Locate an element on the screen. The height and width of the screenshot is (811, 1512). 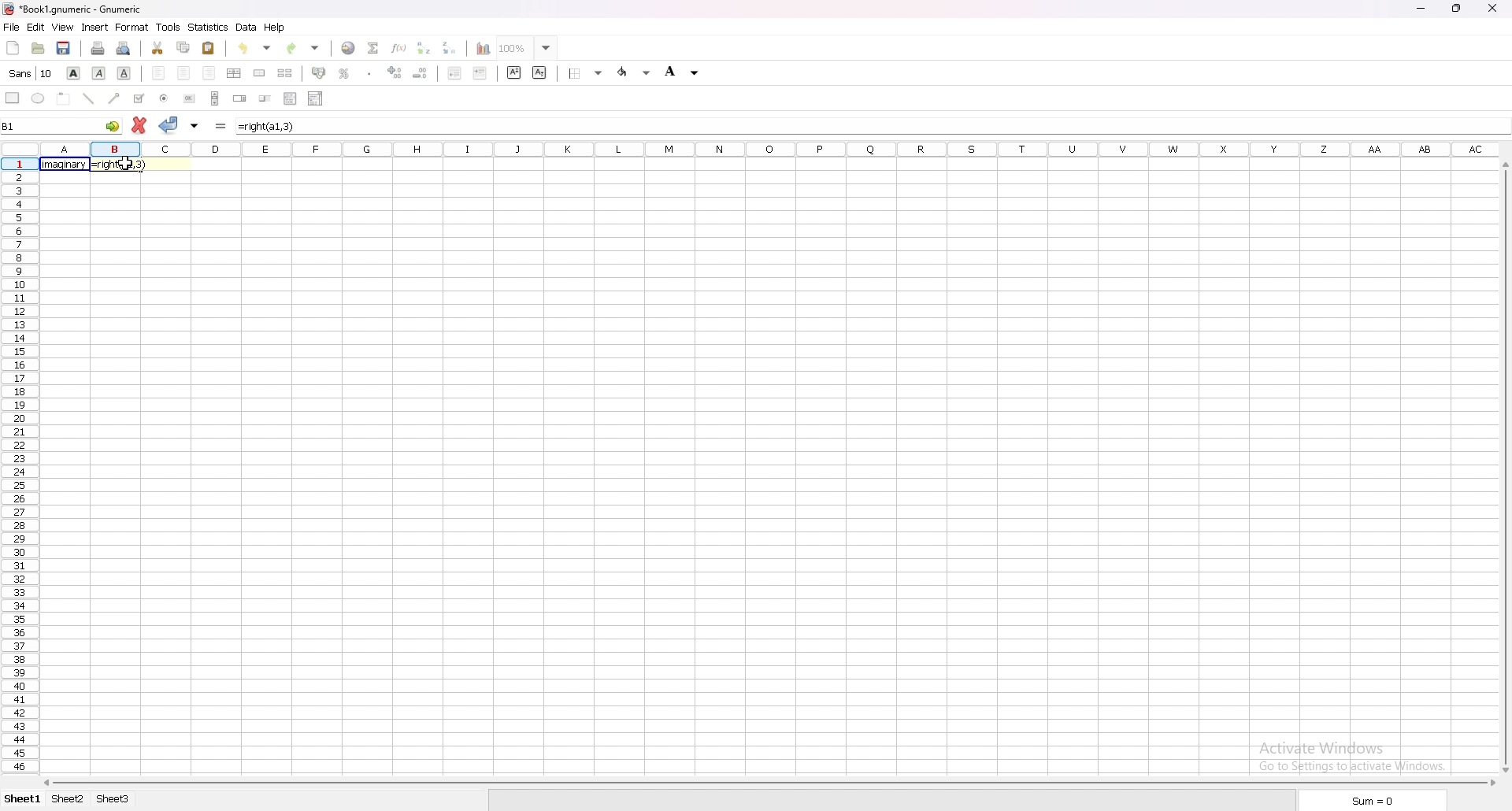
close is located at coordinates (1492, 7).